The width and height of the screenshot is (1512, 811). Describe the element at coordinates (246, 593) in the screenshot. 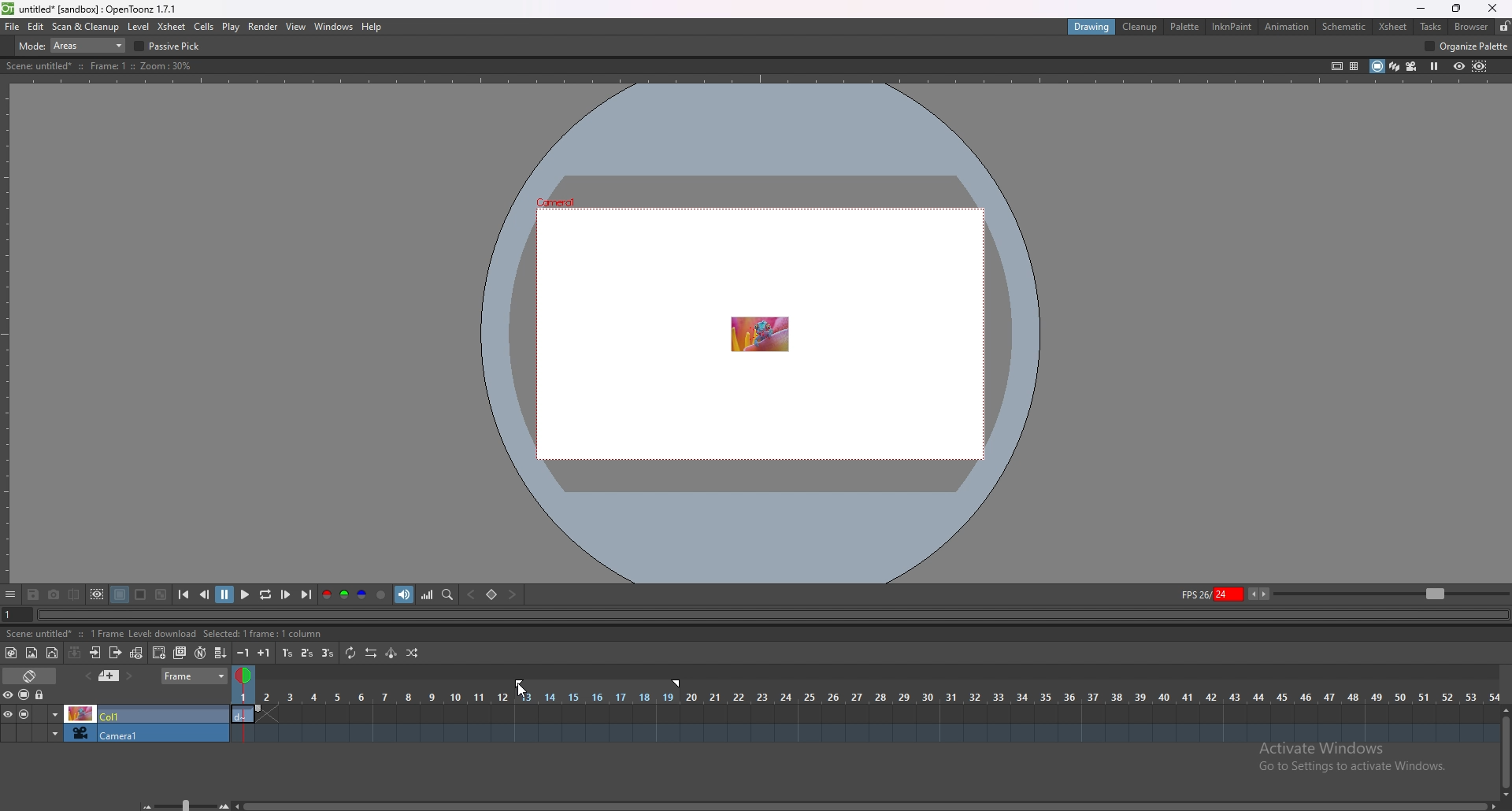

I see `play` at that location.